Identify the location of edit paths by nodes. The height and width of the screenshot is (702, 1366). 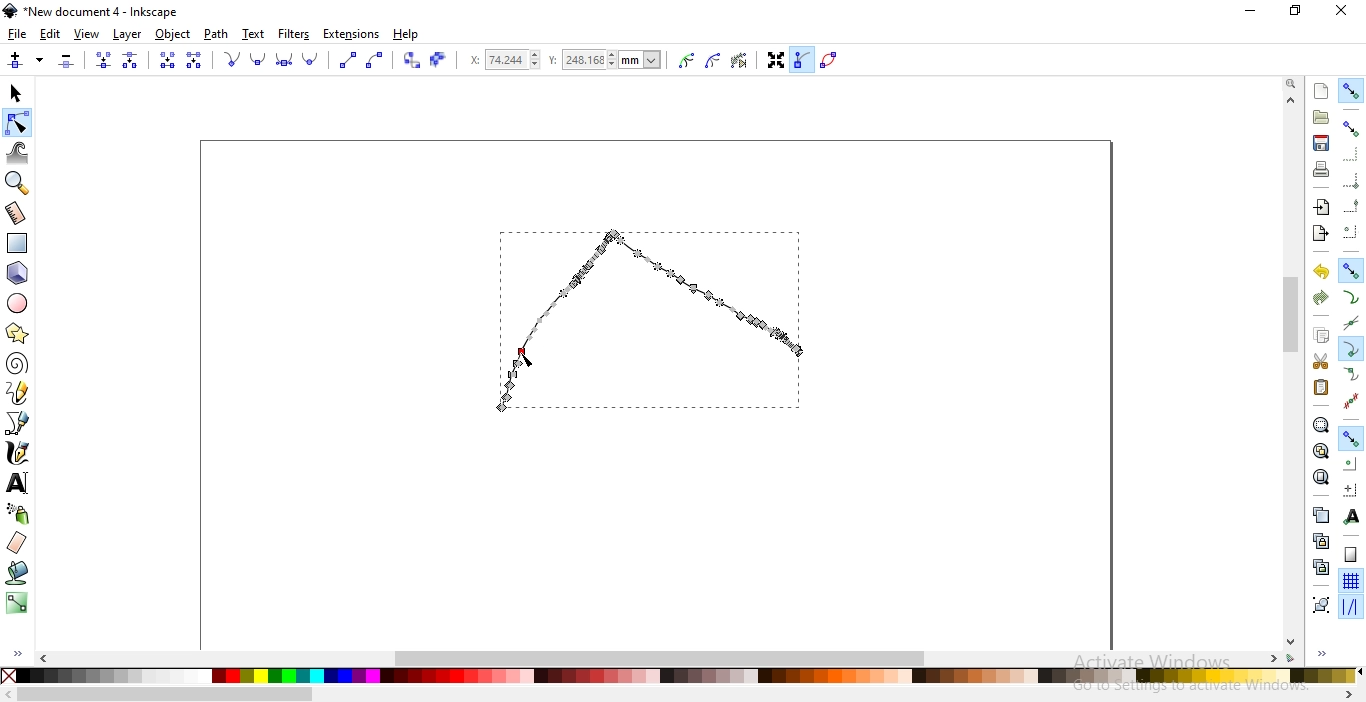
(16, 124).